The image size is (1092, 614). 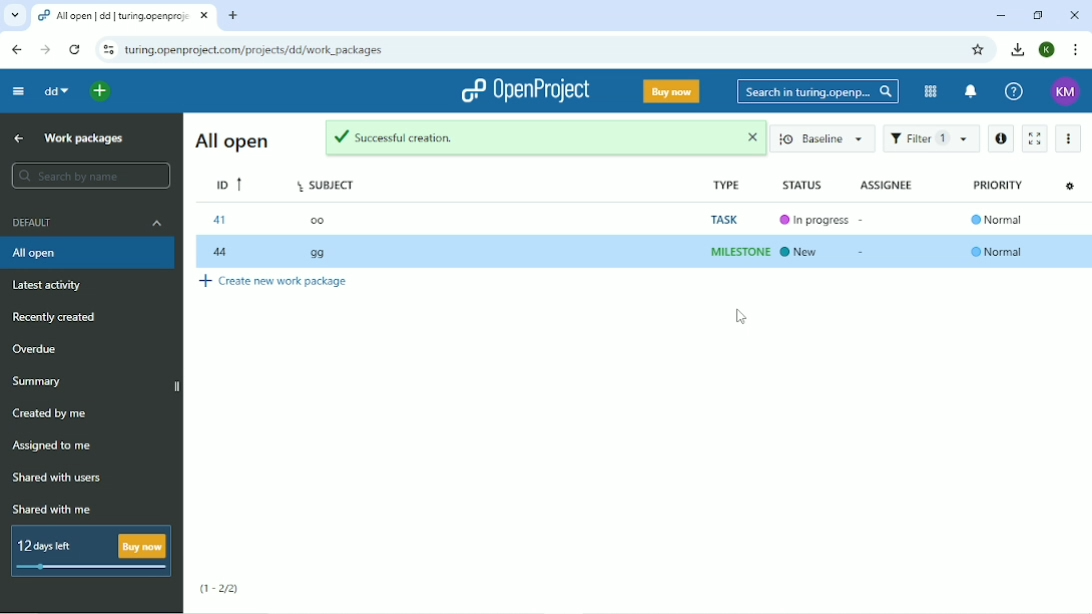 I want to click on gg, so click(x=320, y=254).